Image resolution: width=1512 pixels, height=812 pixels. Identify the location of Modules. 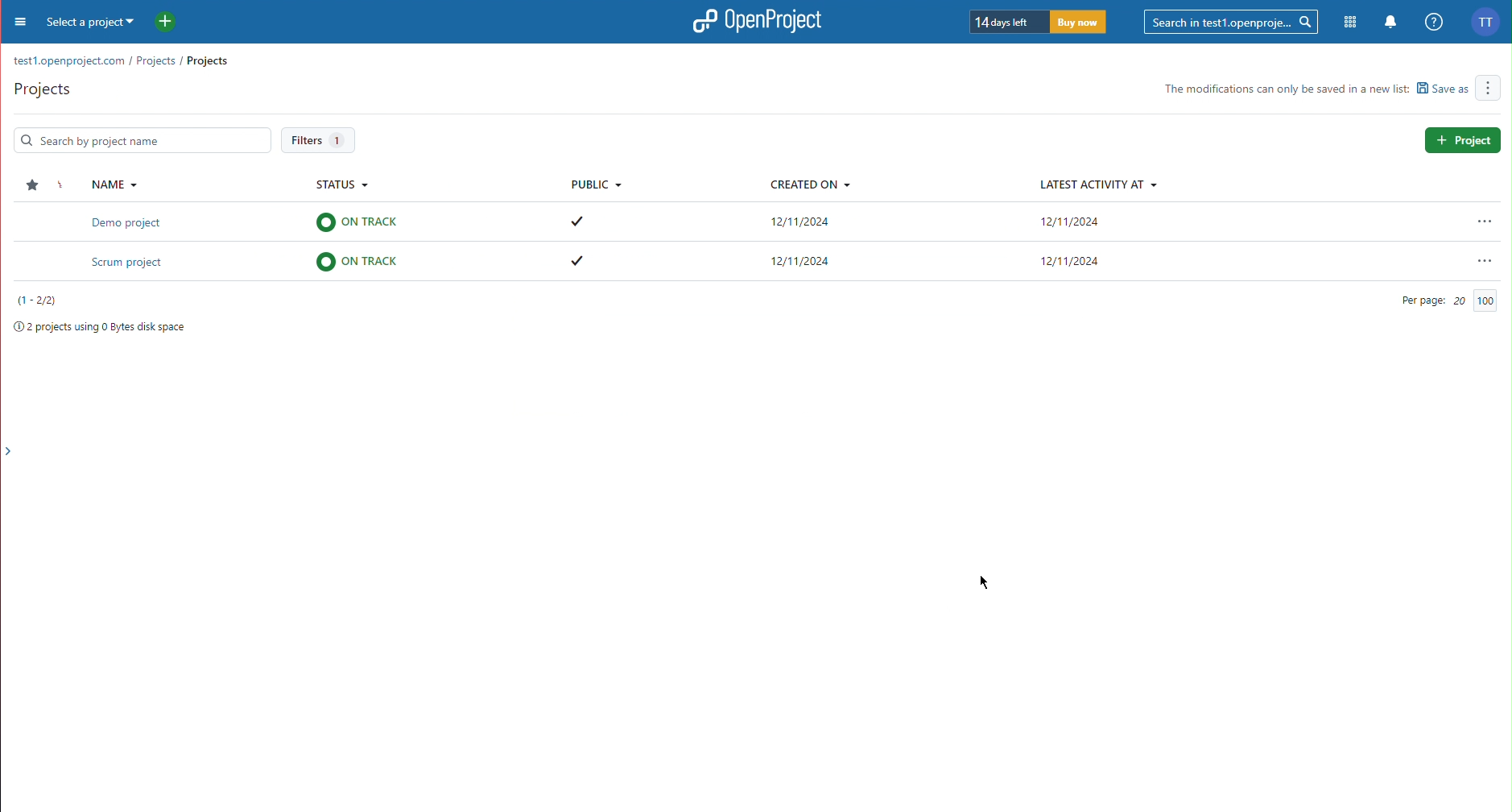
(1349, 21).